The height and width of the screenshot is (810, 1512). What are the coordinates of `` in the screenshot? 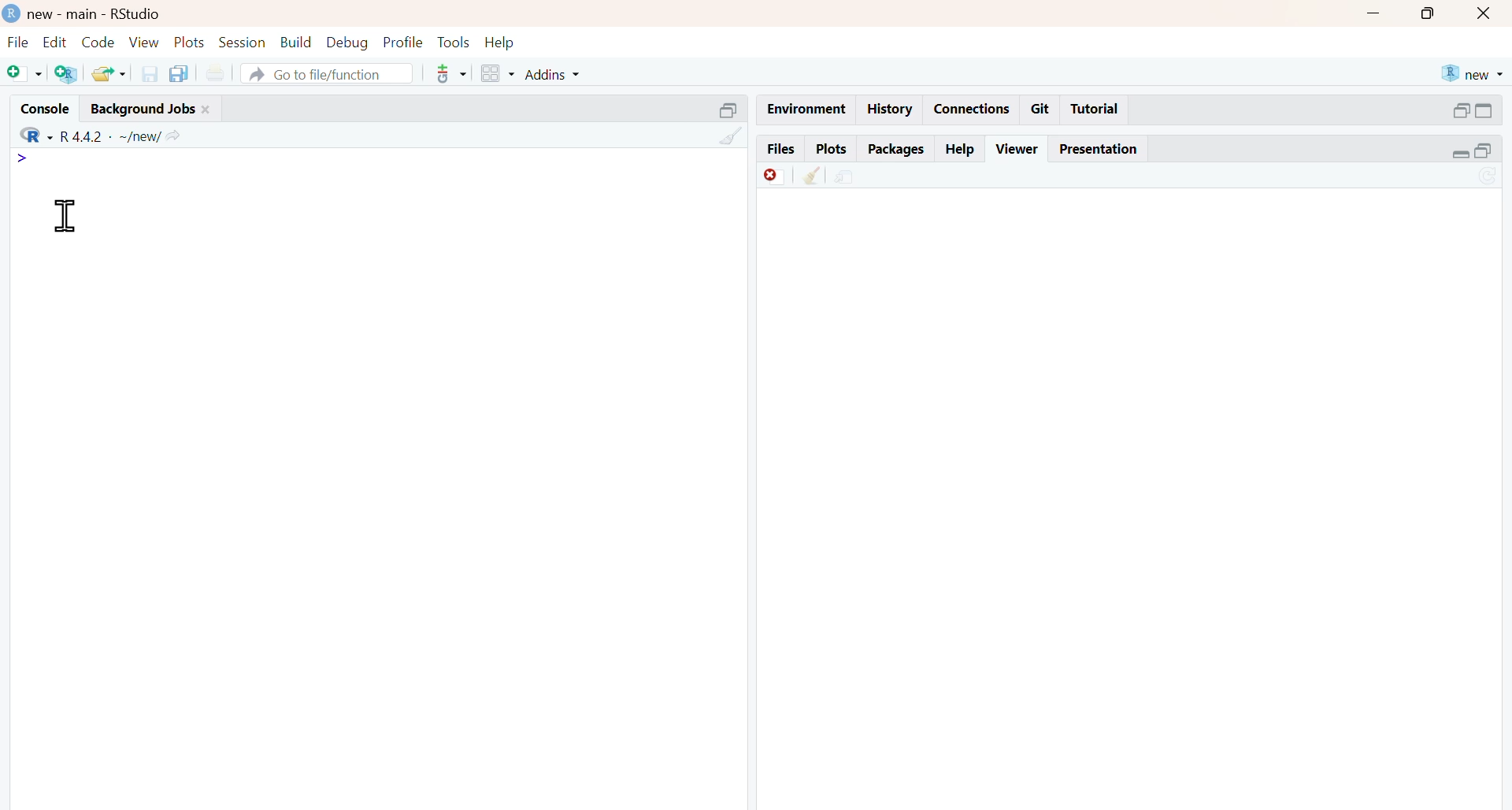 It's located at (730, 111).